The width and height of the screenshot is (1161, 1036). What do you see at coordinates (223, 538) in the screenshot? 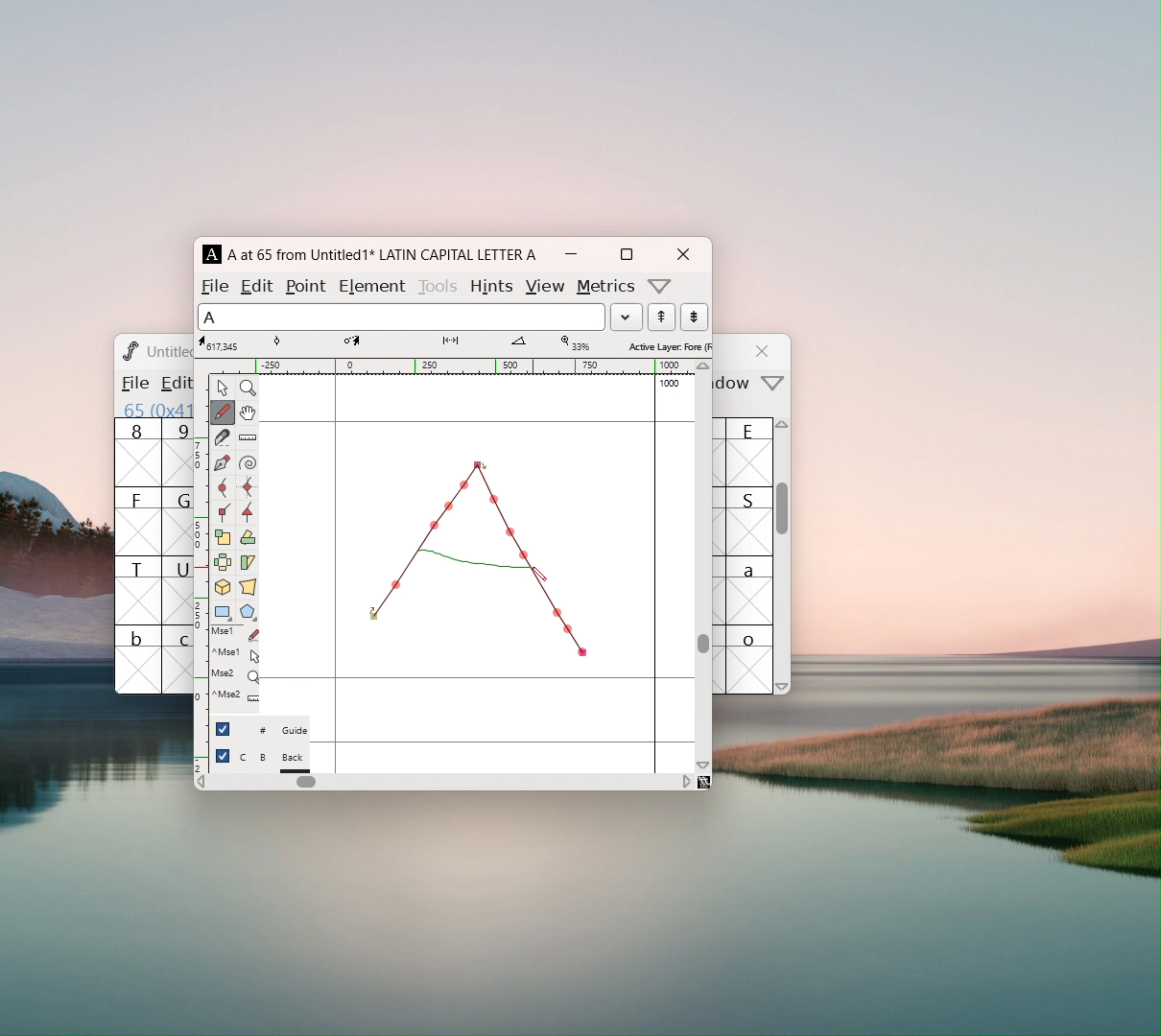
I see `scale the selection` at bounding box center [223, 538].